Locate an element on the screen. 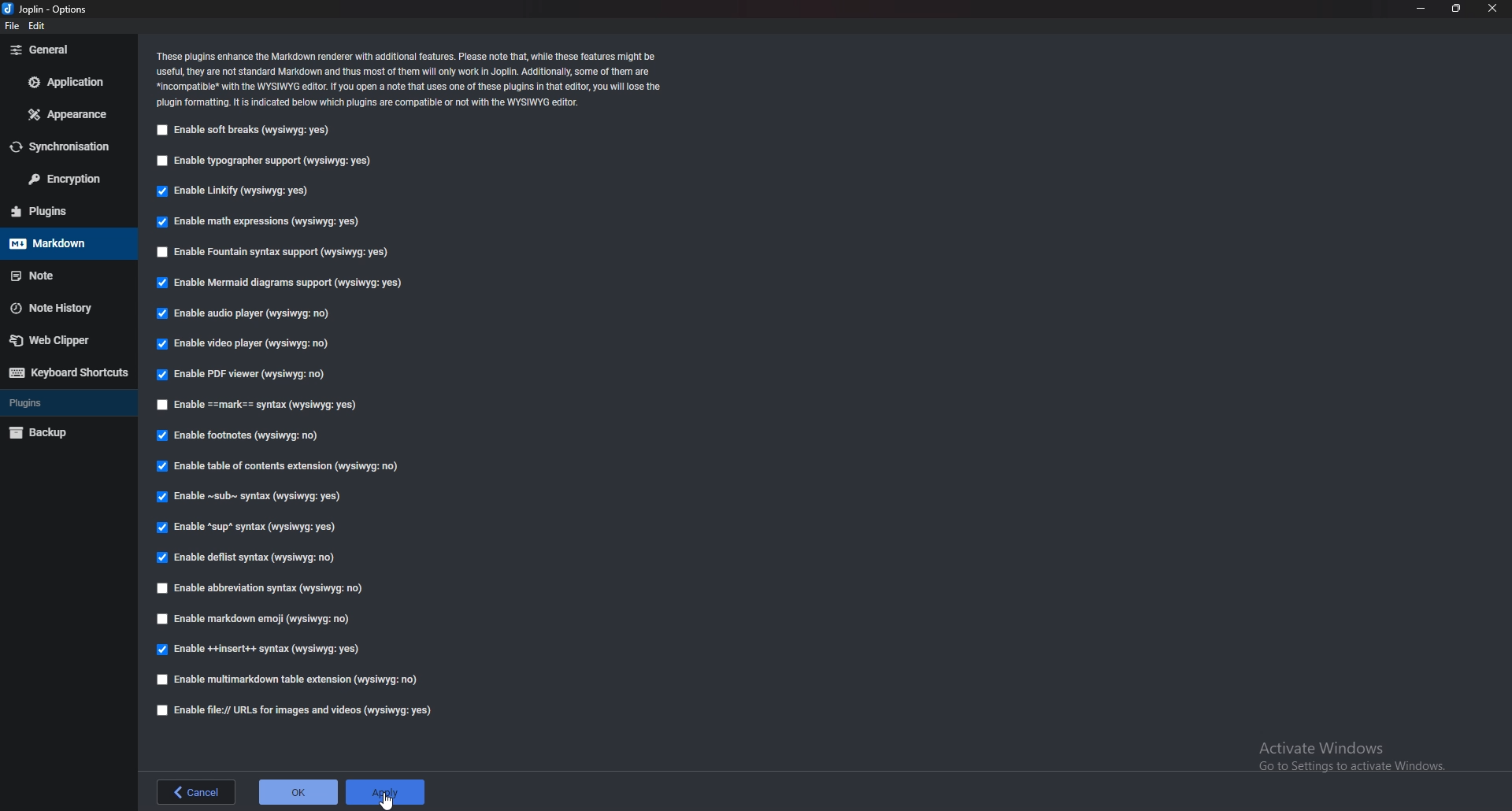 The width and height of the screenshot is (1512, 811). edit is located at coordinates (43, 25).